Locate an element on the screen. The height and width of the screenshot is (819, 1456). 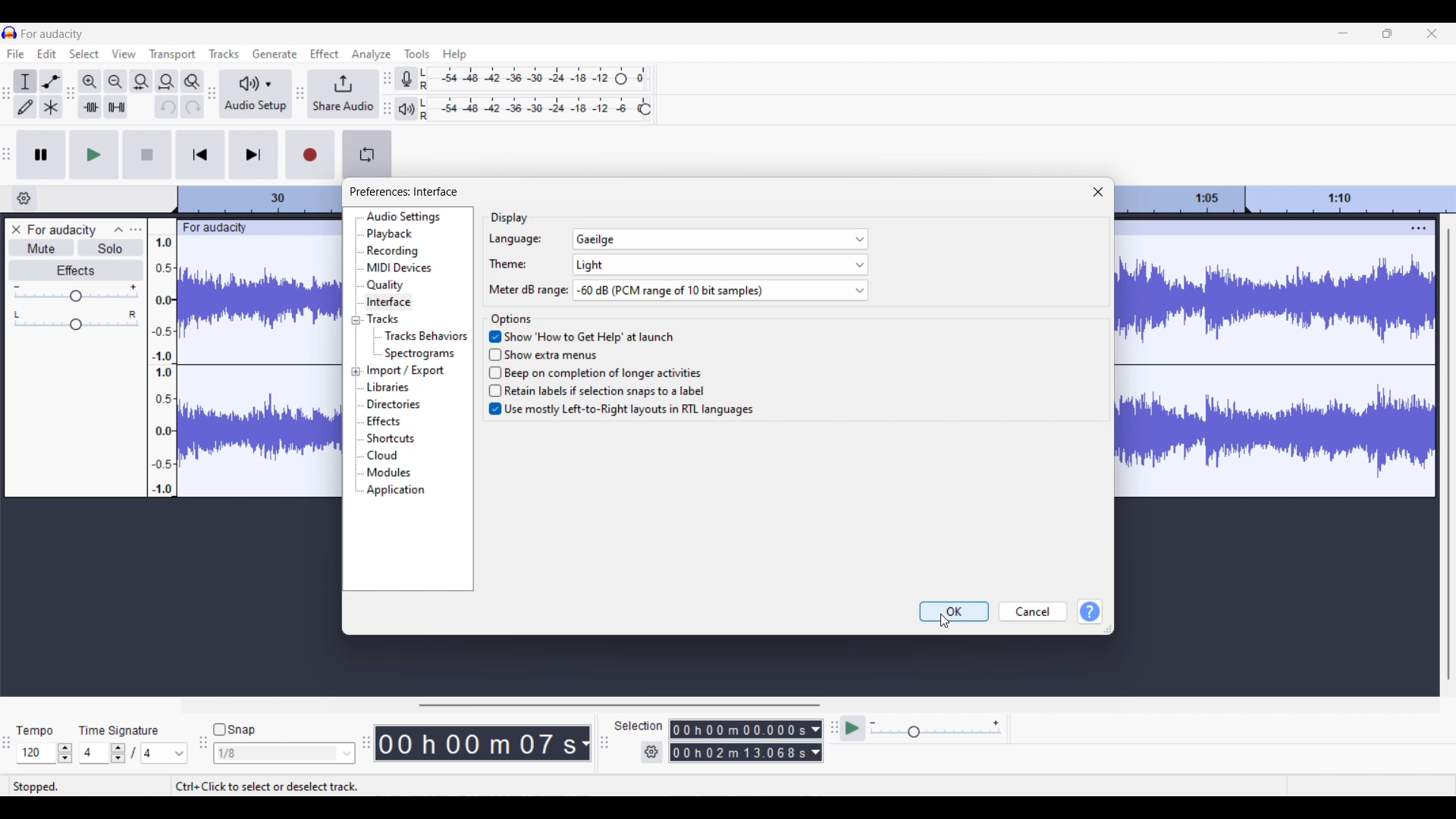
Change dimension of window is located at coordinates (1109, 629).